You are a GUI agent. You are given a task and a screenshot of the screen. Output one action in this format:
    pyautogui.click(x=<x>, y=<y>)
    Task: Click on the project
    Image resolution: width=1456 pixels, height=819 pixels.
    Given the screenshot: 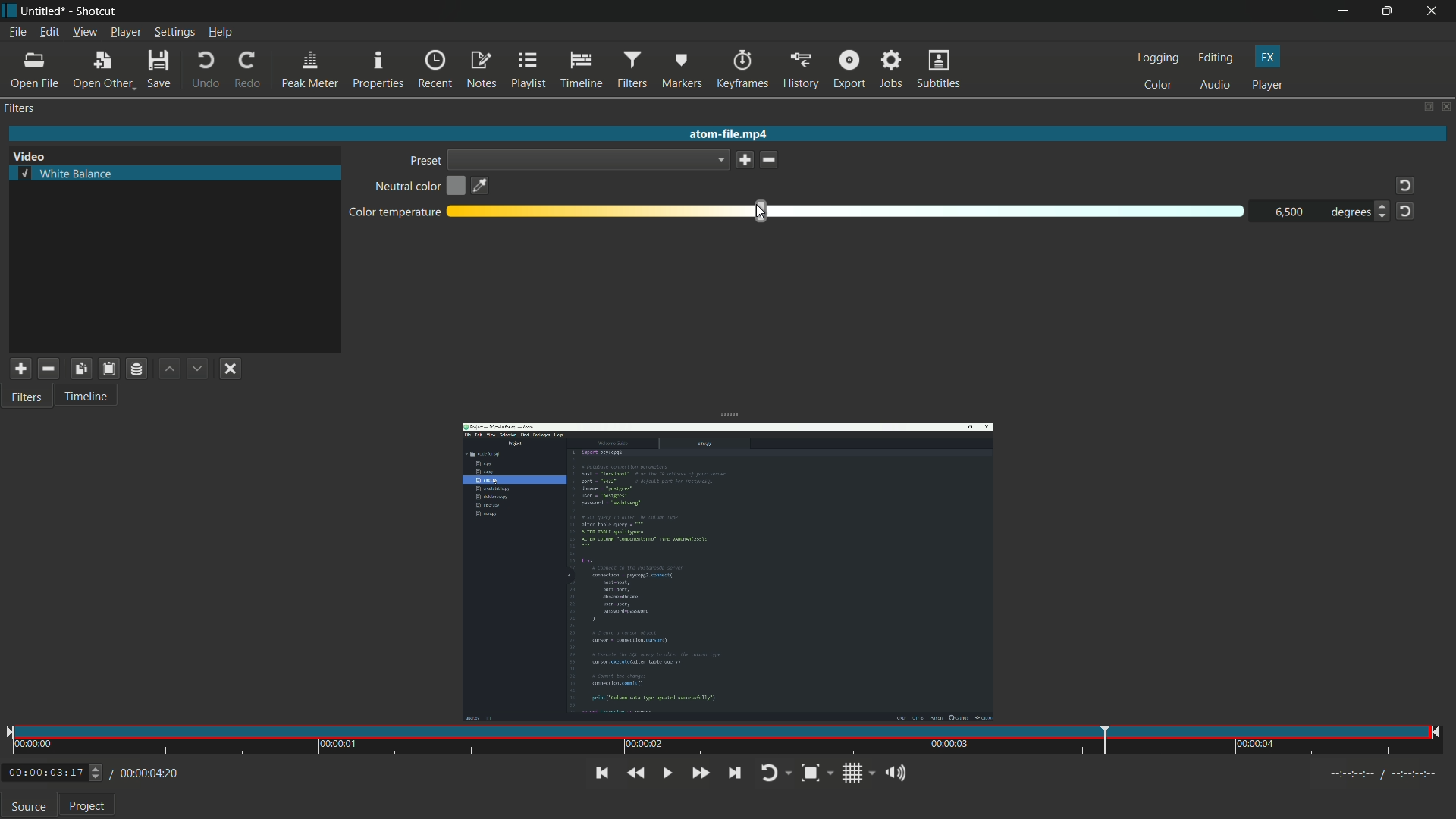 What is the action you would take?
    pyautogui.click(x=87, y=808)
    